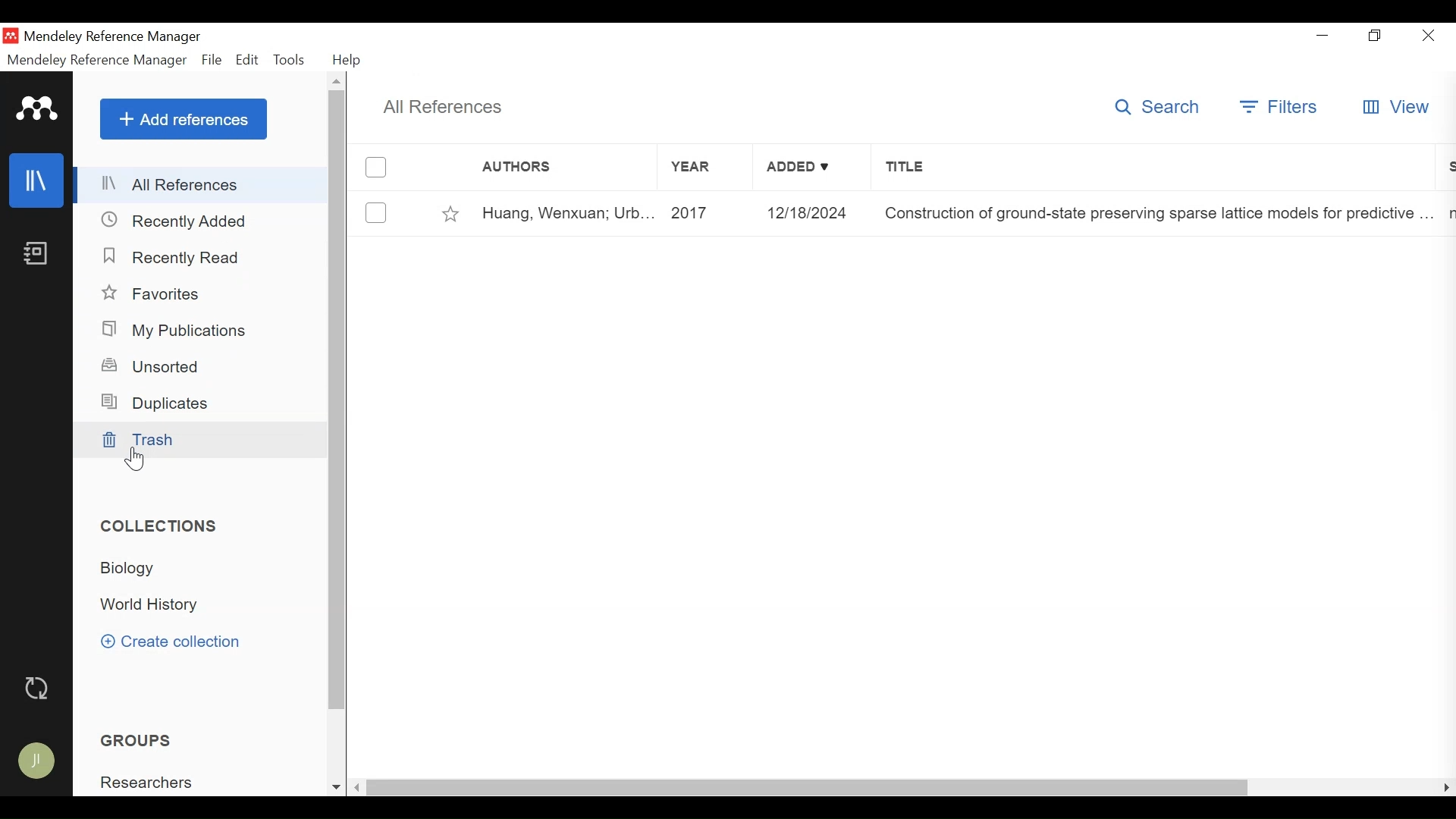 This screenshot has height=819, width=1456. Describe the element at coordinates (356, 787) in the screenshot. I see `Scroll Left` at that location.